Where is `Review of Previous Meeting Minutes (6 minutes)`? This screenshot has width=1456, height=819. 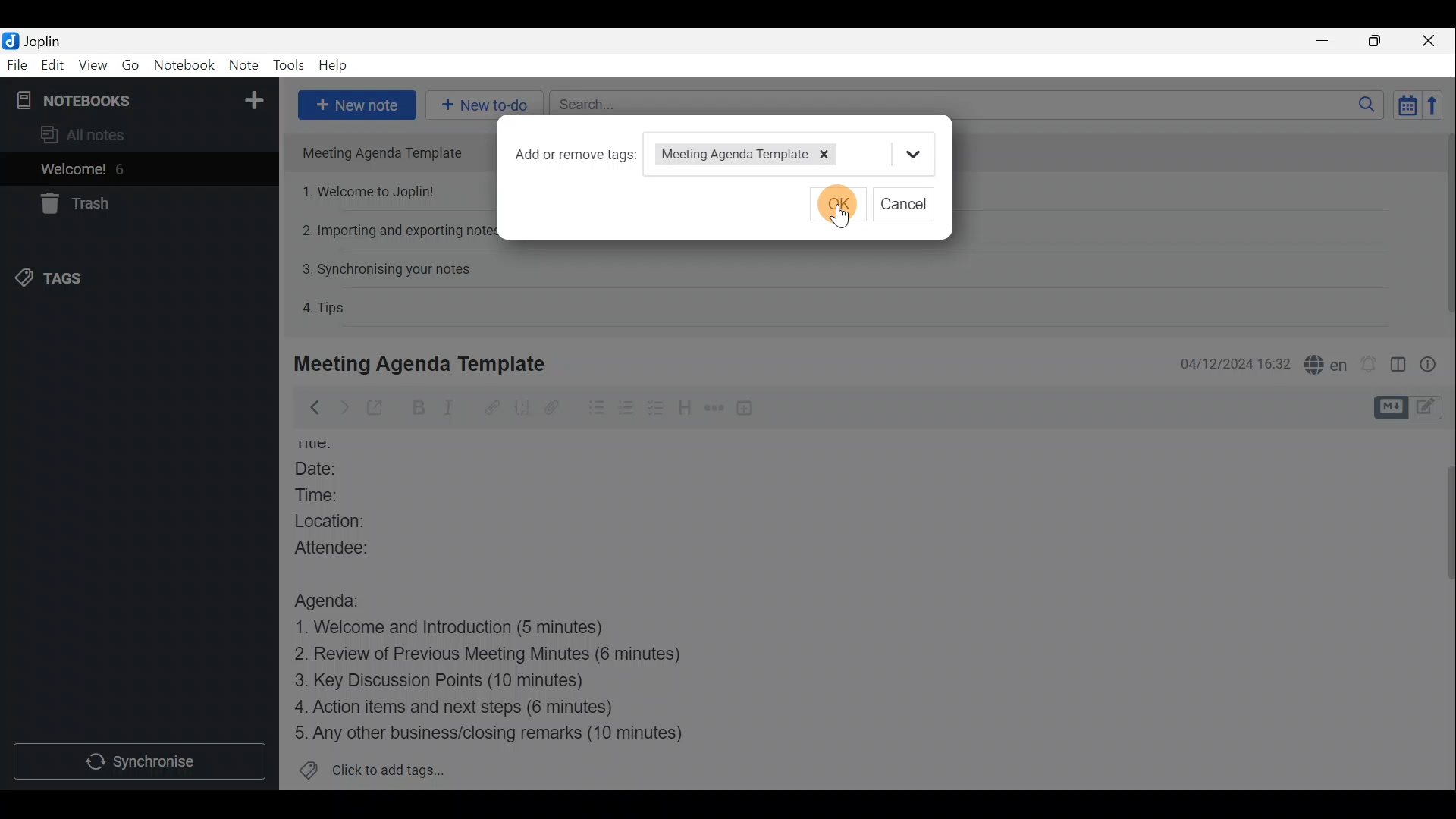 Review of Previous Meeting Minutes (6 minutes) is located at coordinates (512, 657).